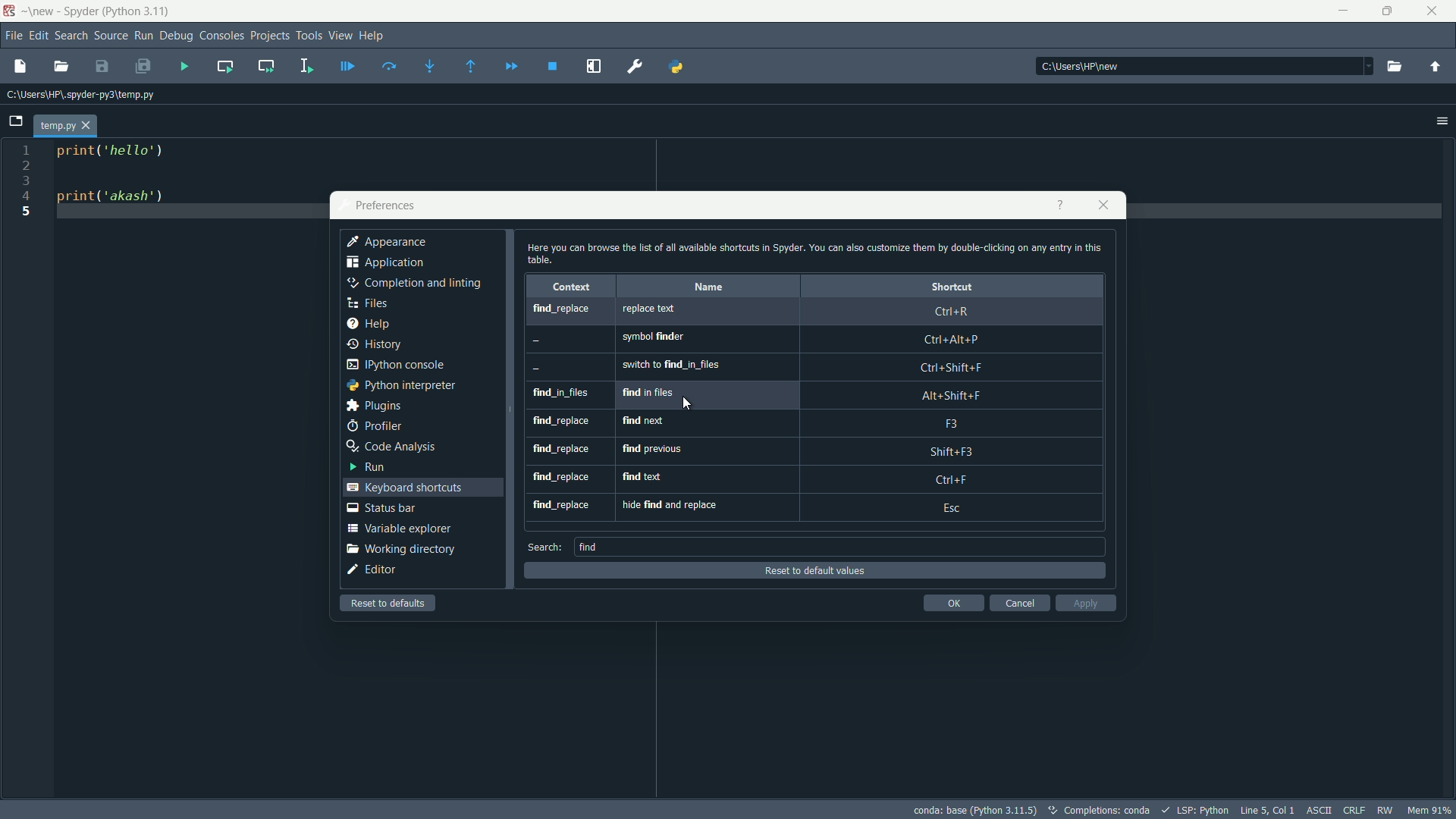  I want to click on continue execution untill next function, so click(473, 67).